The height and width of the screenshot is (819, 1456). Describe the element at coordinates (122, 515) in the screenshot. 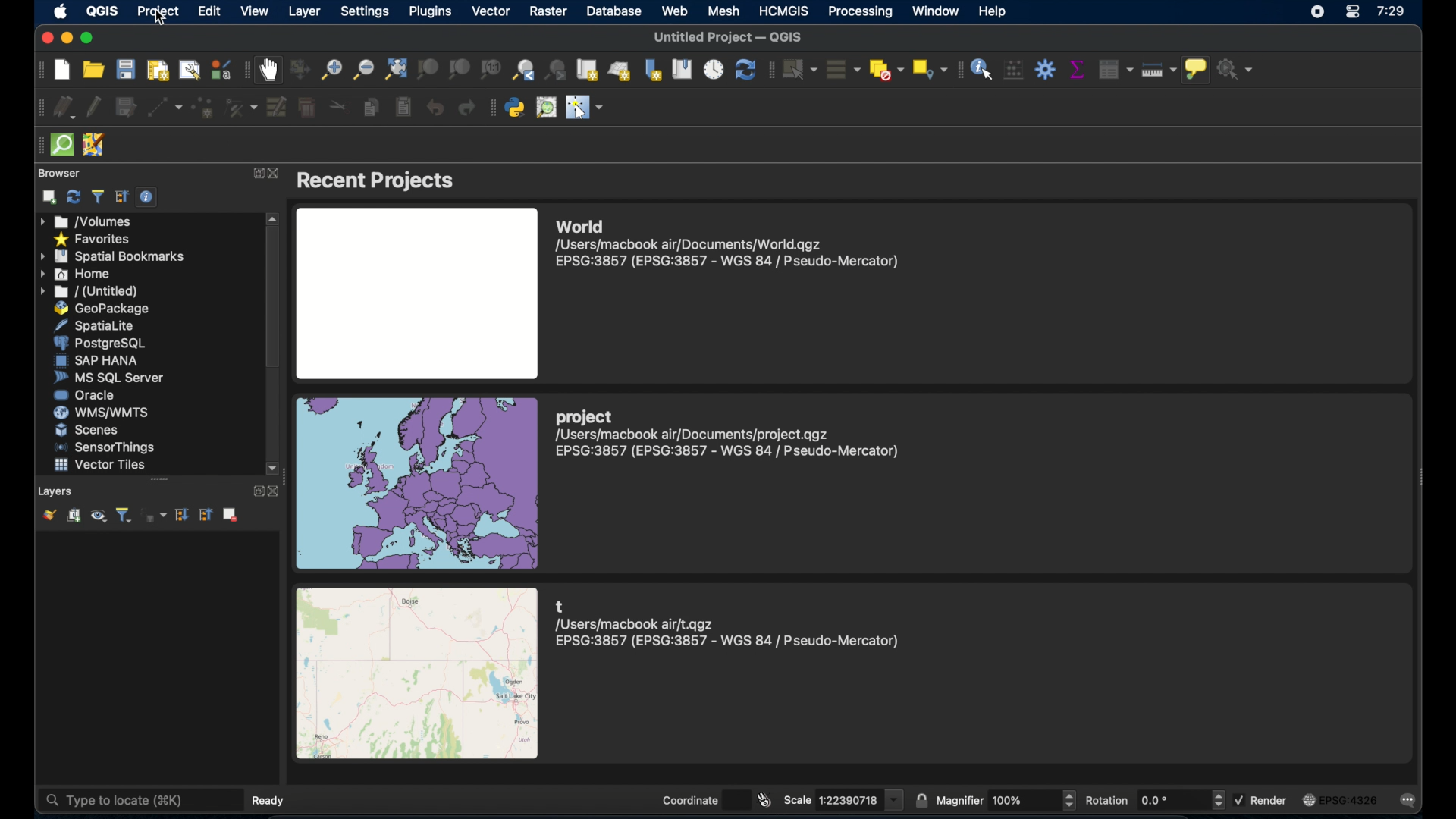

I see `filterlegend` at that location.